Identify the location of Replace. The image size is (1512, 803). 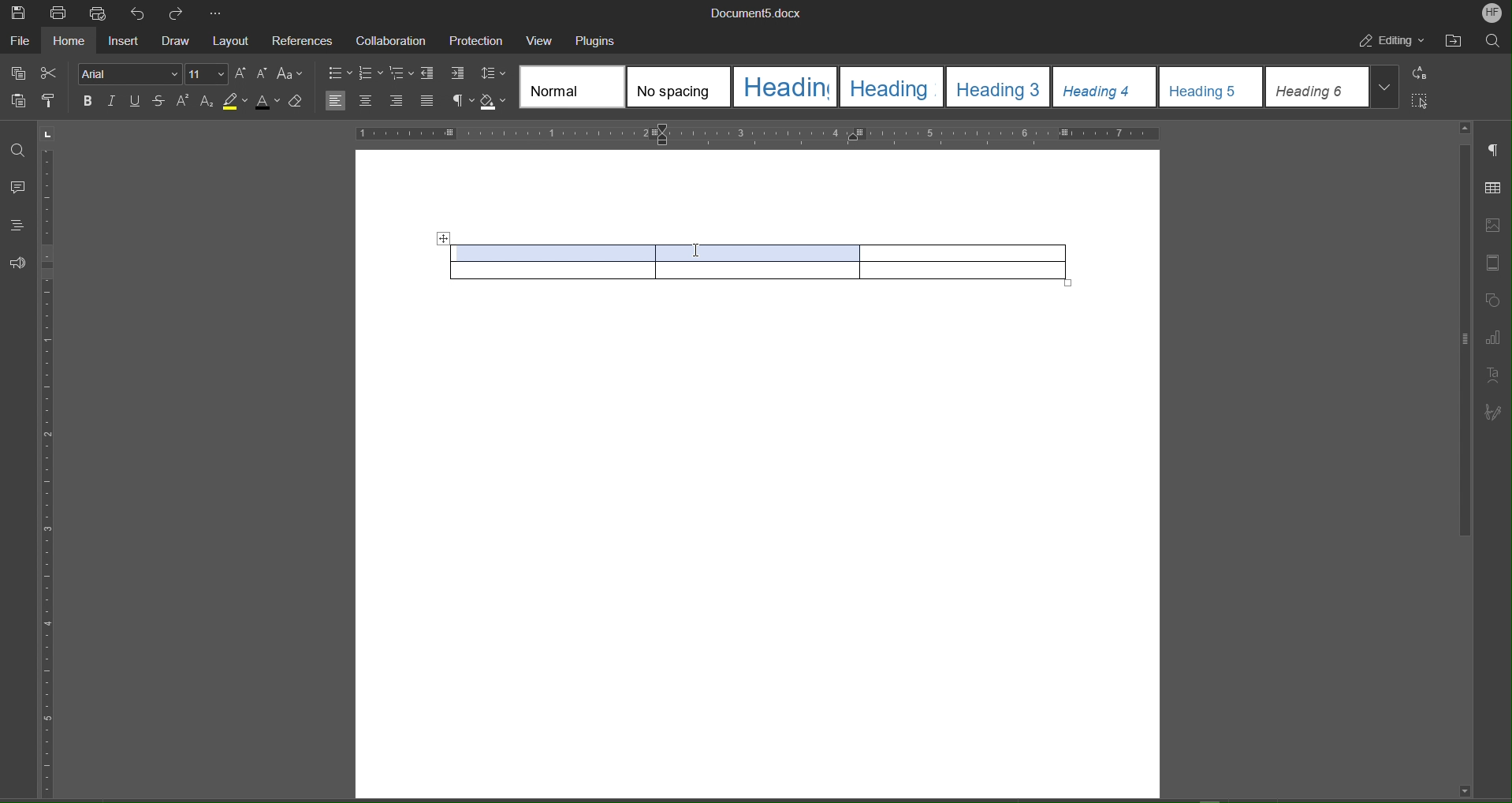
(1424, 73).